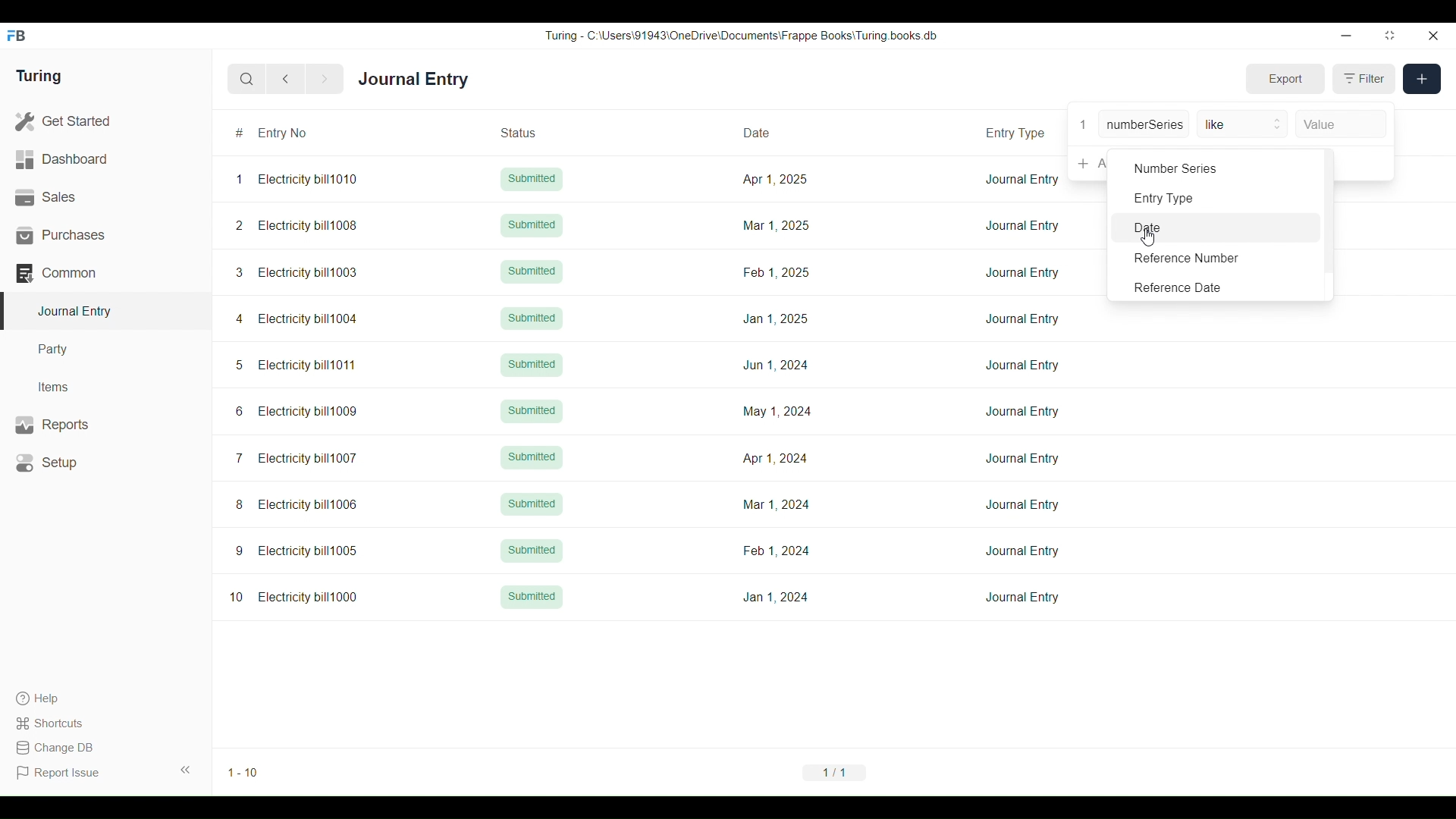 Image resolution: width=1456 pixels, height=819 pixels. I want to click on 2 Electricity bill1008, so click(297, 225).